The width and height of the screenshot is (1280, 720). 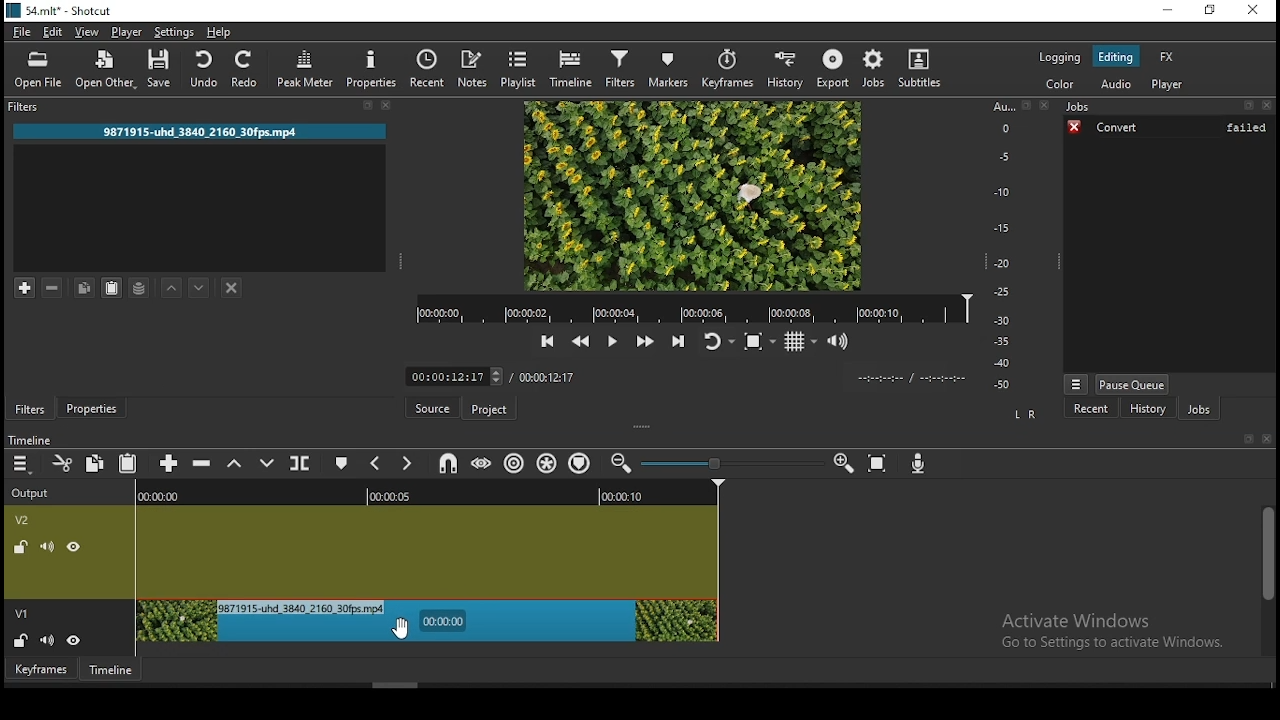 What do you see at coordinates (879, 465) in the screenshot?
I see `zoom timeline to fit` at bounding box center [879, 465].